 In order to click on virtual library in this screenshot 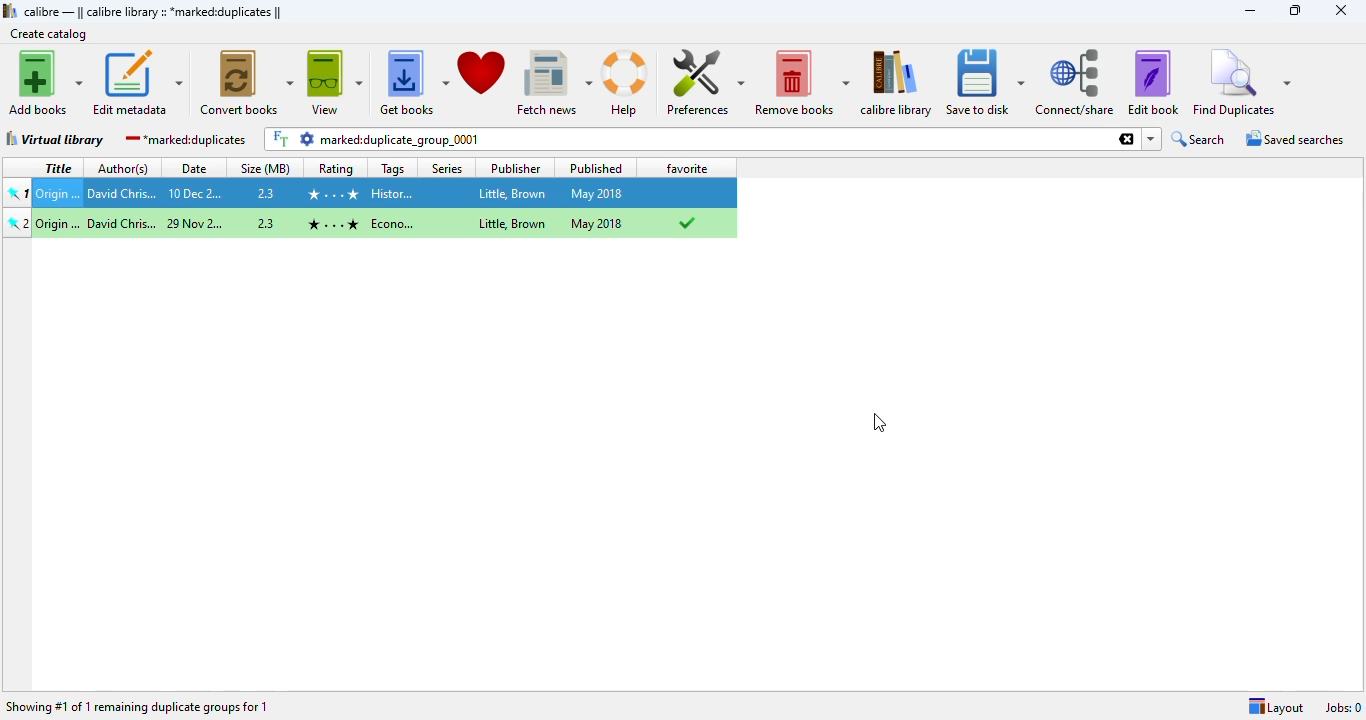, I will do `click(49, 138)`.